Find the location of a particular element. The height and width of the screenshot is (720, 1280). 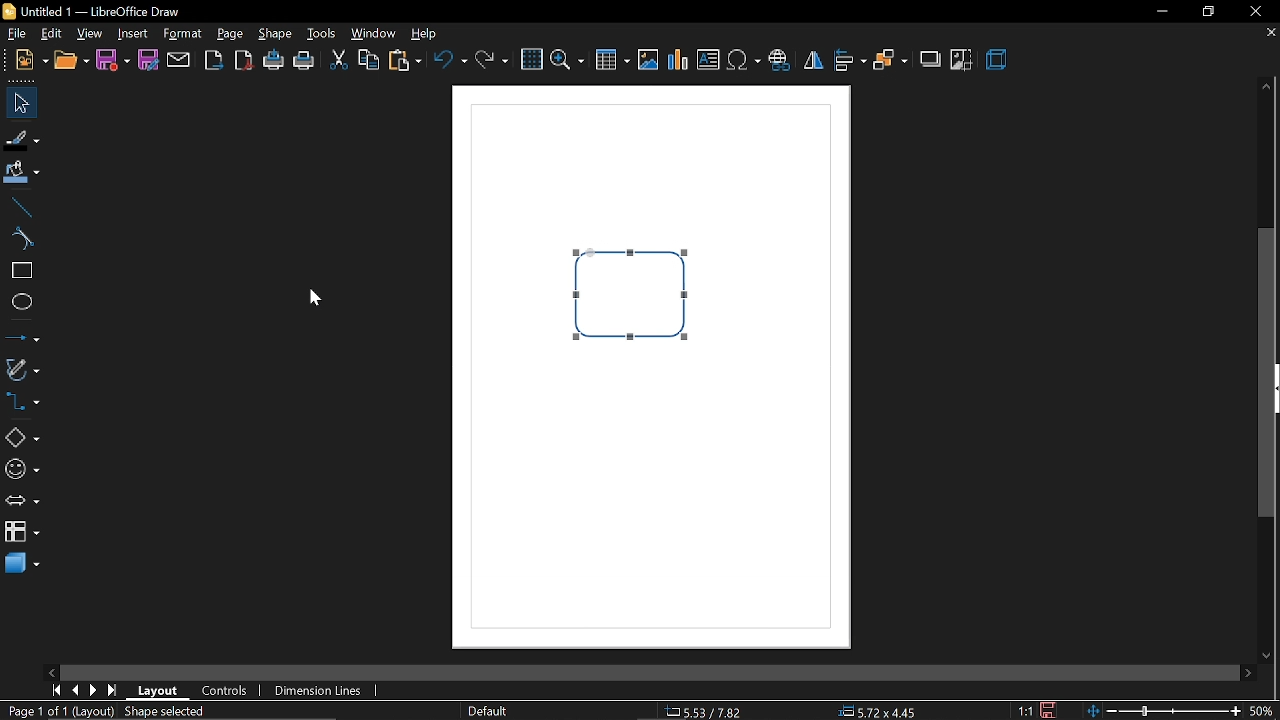

next page is located at coordinates (93, 691).